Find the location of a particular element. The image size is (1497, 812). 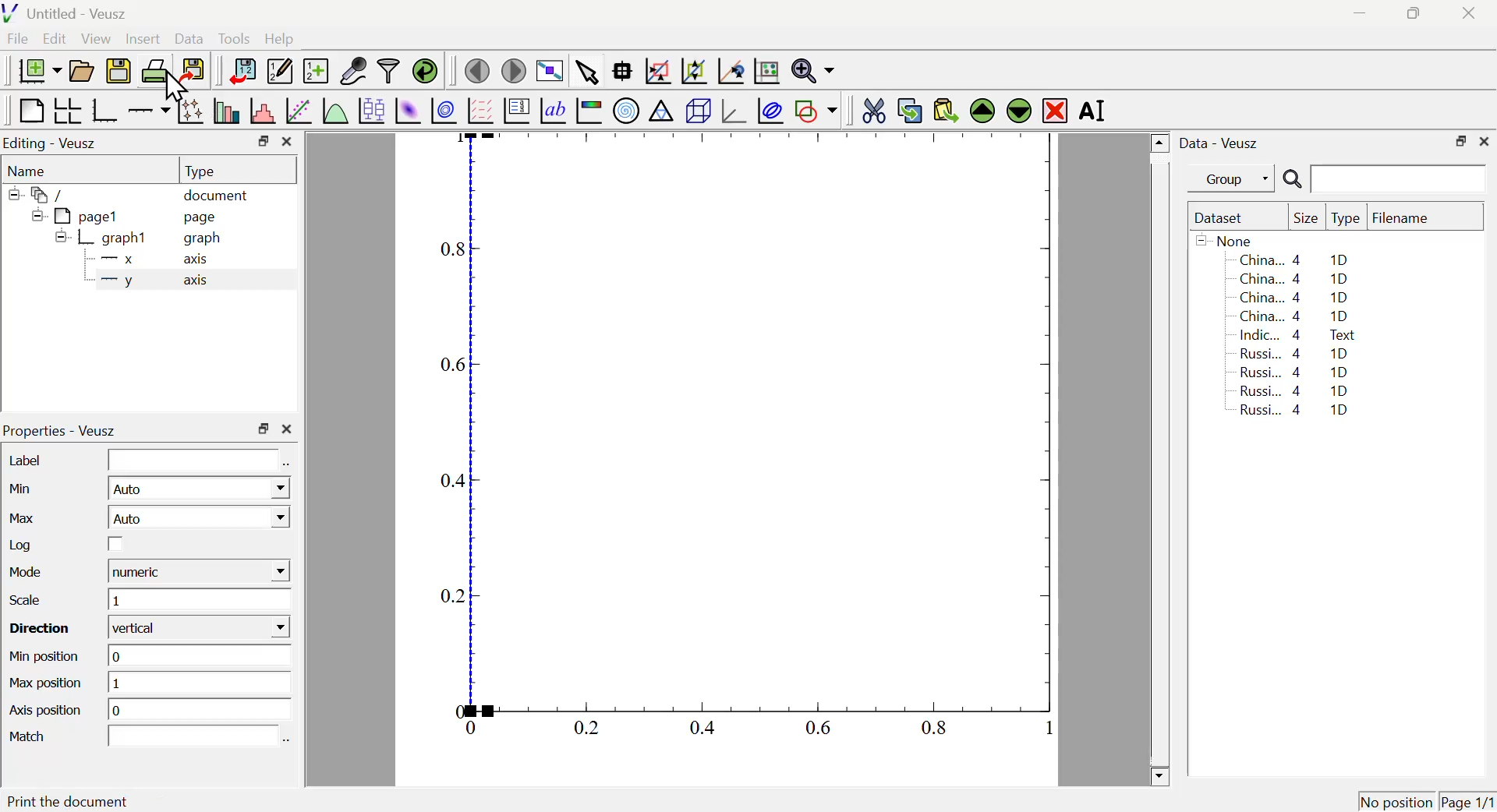

None is located at coordinates (1226, 240).